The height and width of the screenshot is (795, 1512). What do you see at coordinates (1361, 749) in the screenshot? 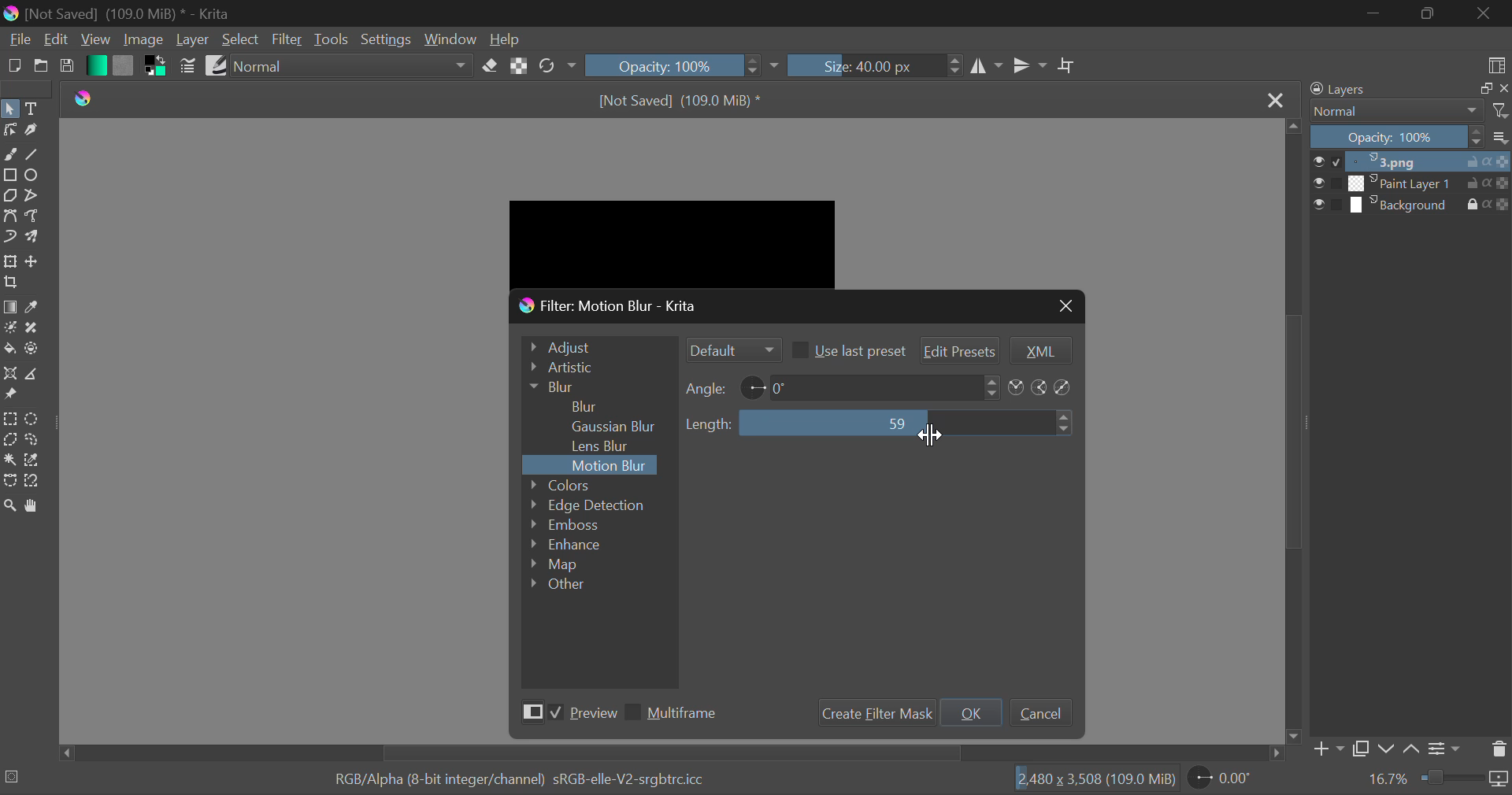
I see `Copy Layer` at bounding box center [1361, 749].